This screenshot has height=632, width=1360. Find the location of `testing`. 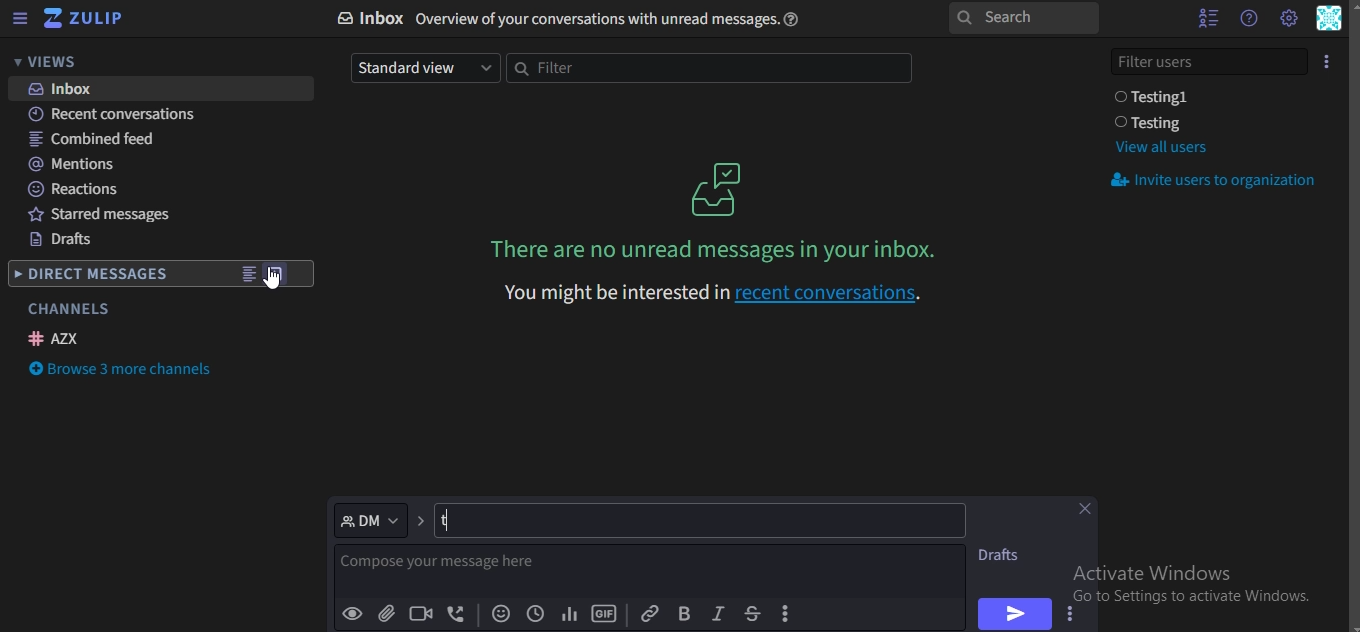

testing is located at coordinates (1153, 123).